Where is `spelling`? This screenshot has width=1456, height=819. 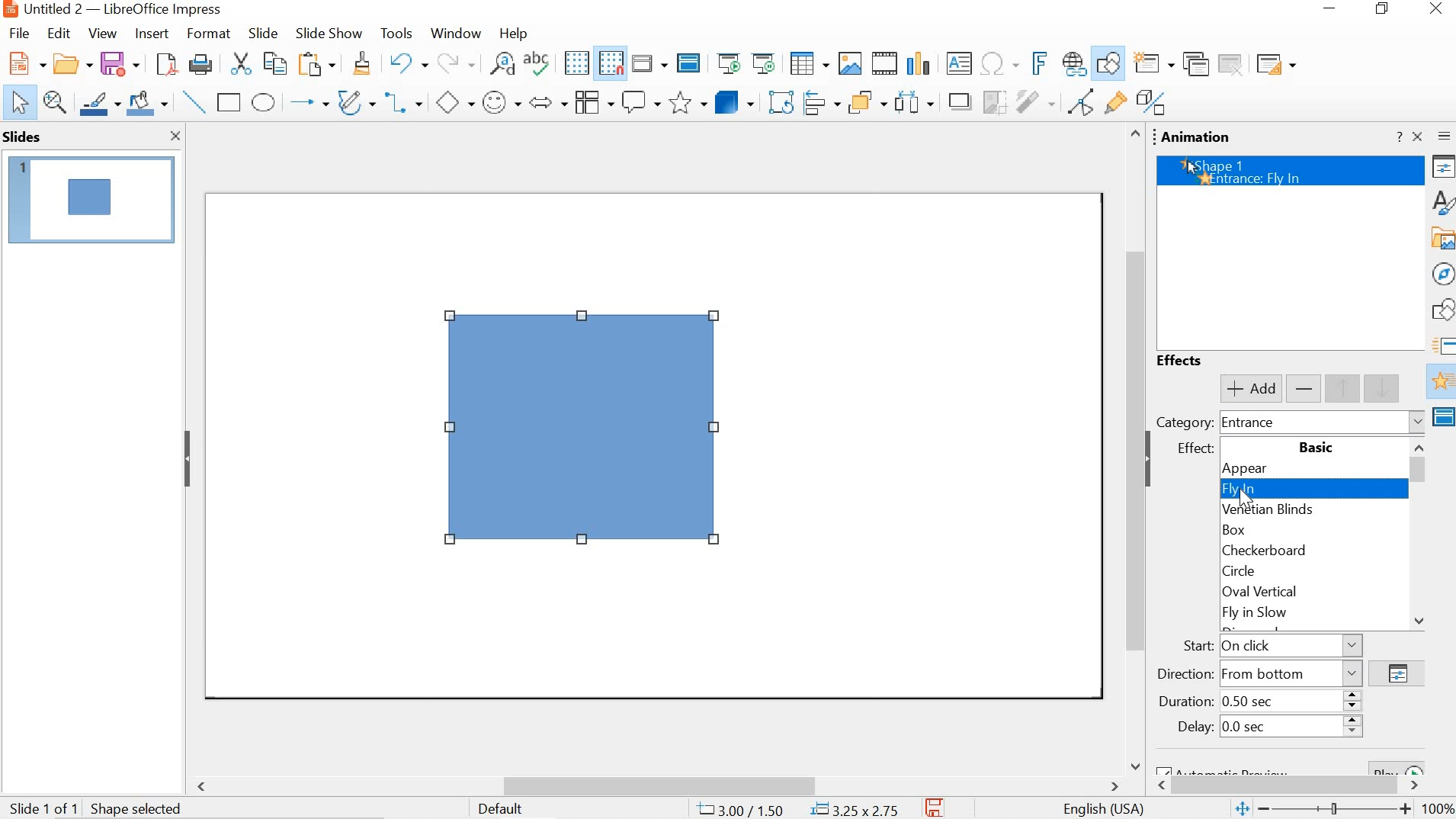
spelling is located at coordinates (537, 63).